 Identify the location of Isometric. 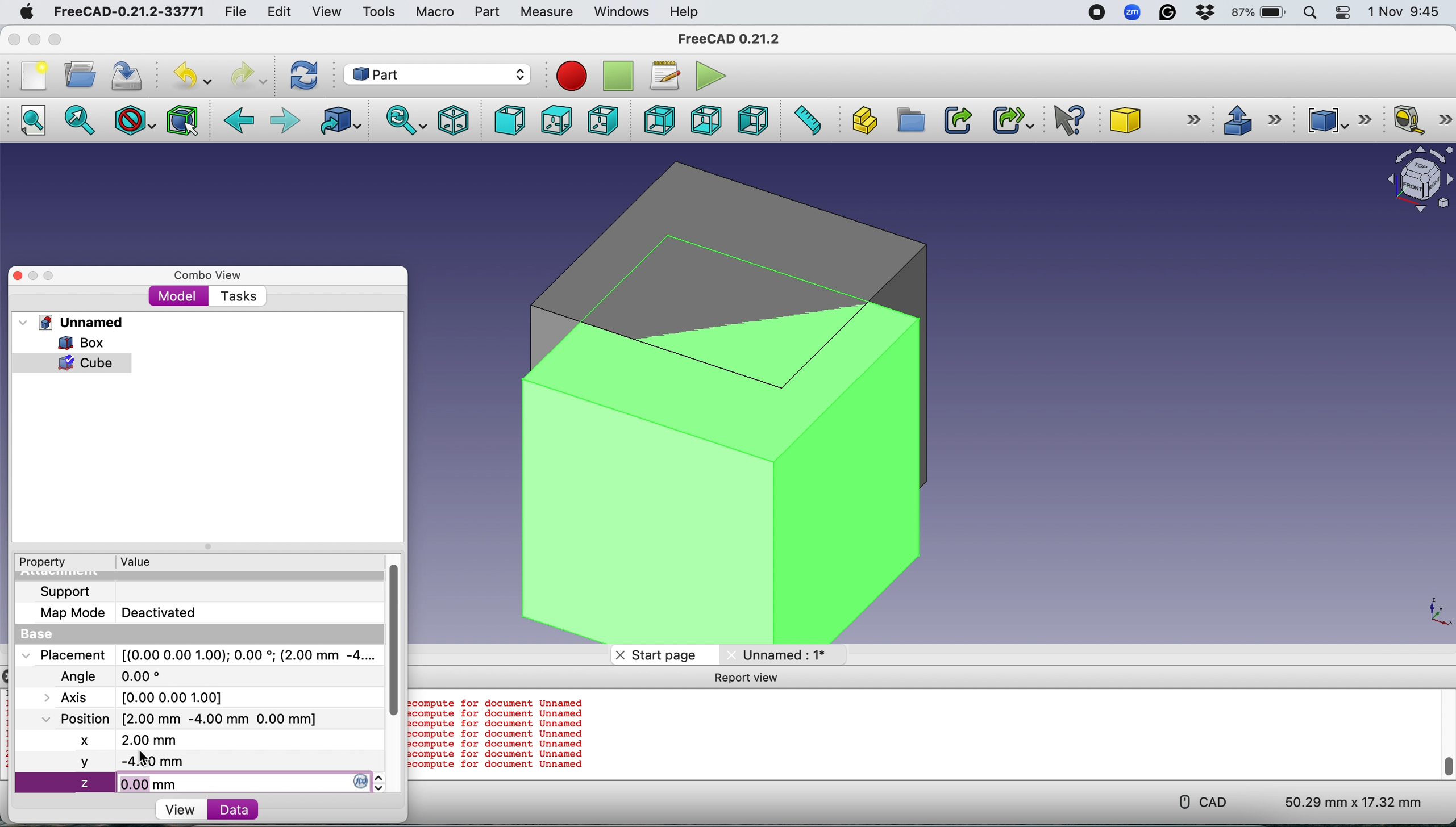
(454, 119).